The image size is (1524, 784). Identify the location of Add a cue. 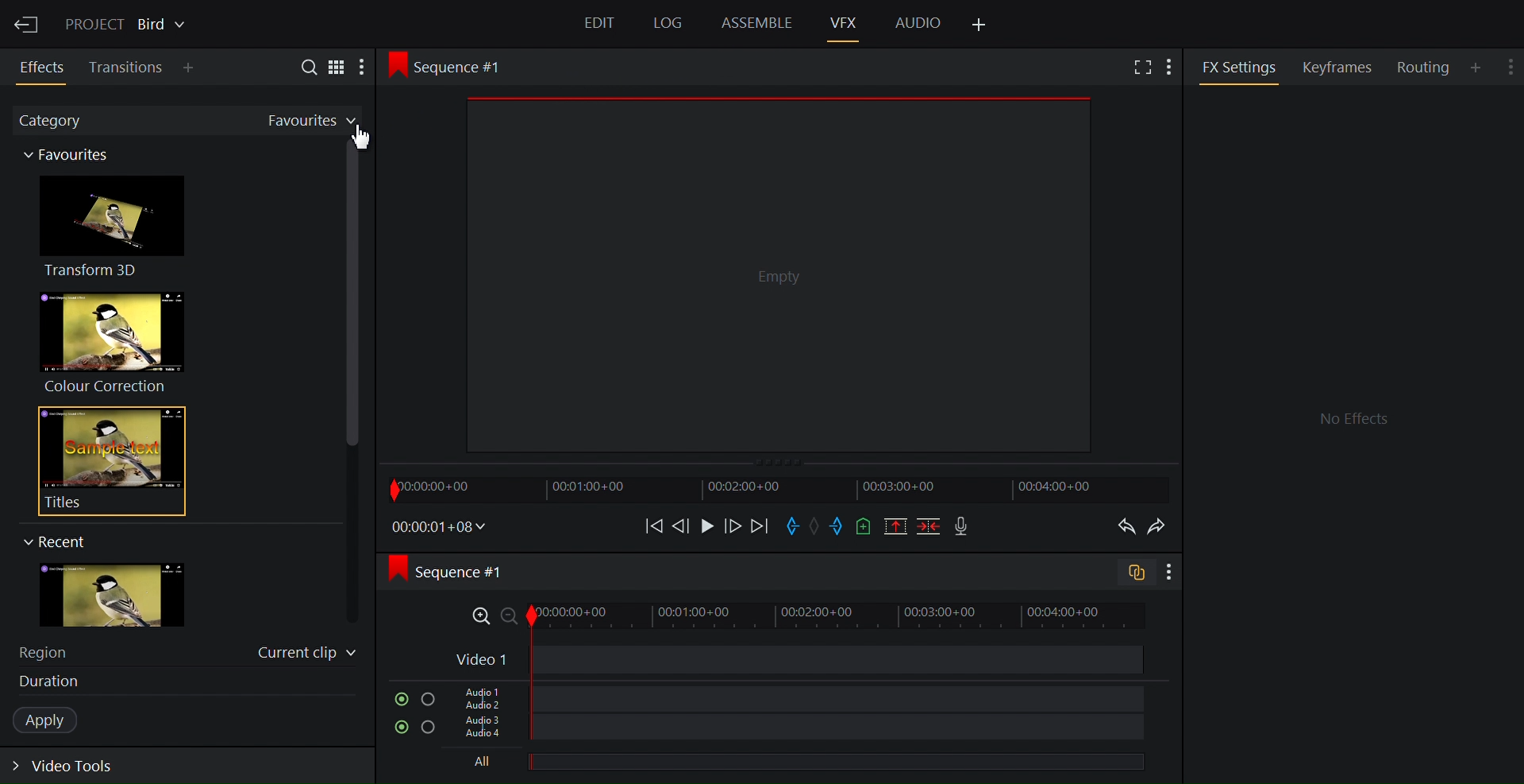
(864, 528).